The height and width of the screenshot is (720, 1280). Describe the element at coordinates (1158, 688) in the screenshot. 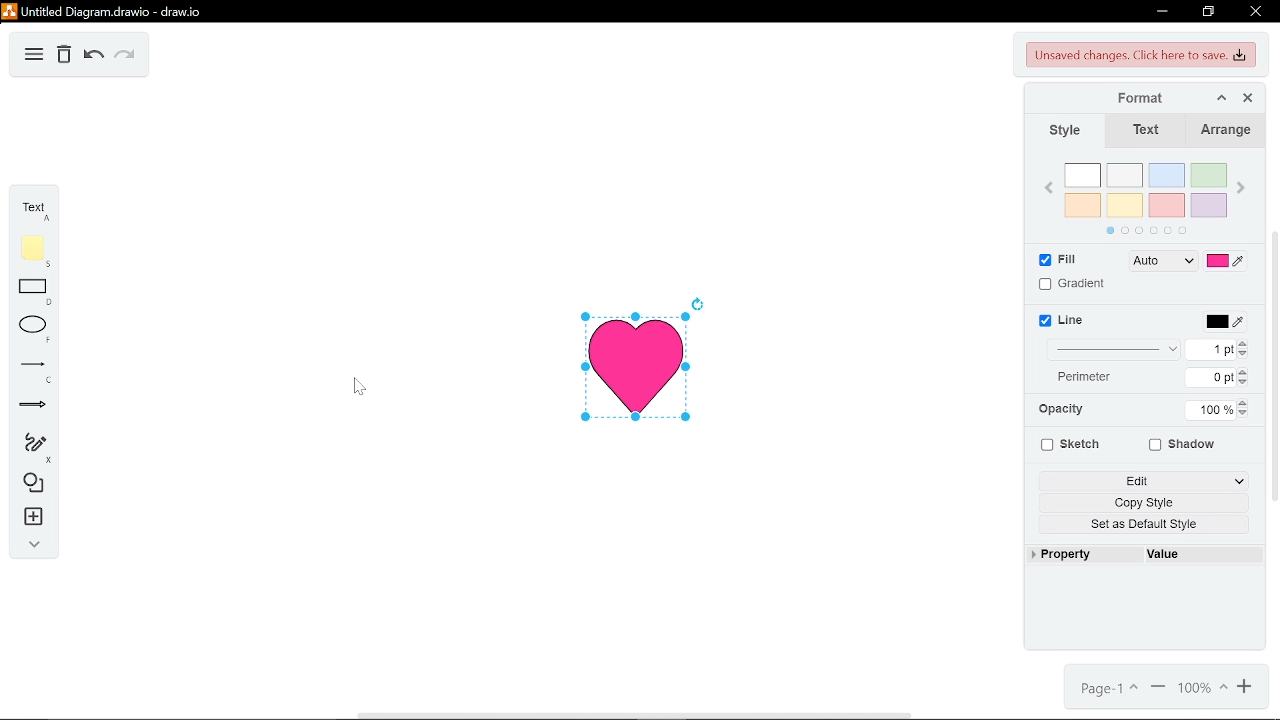

I see `zoom out` at that location.